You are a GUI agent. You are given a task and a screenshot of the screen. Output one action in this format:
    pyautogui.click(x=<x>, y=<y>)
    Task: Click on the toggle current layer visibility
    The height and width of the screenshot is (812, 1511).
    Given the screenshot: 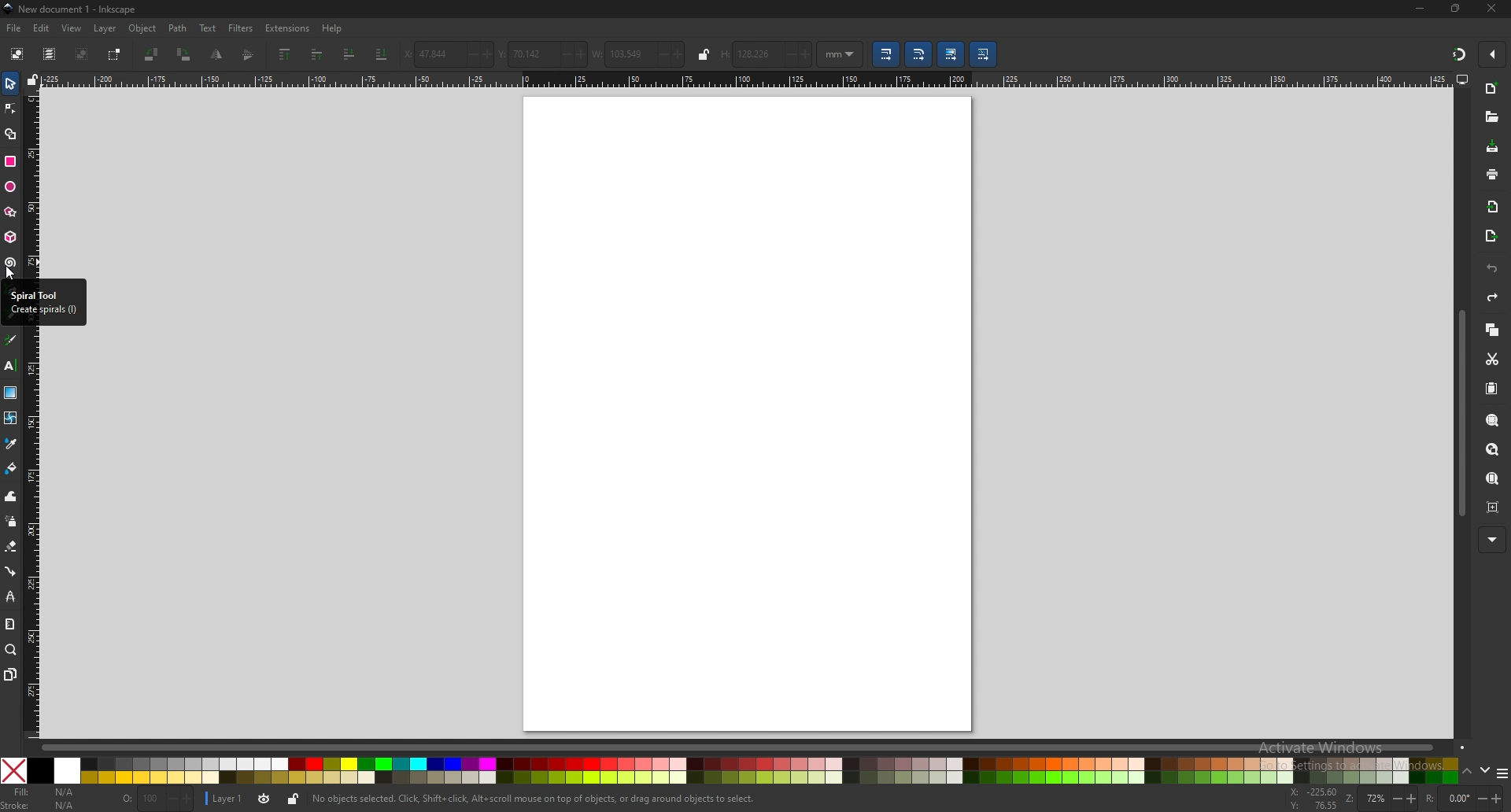 What is the action you would take?
    pyautogui.click(x=265, y=799)
    